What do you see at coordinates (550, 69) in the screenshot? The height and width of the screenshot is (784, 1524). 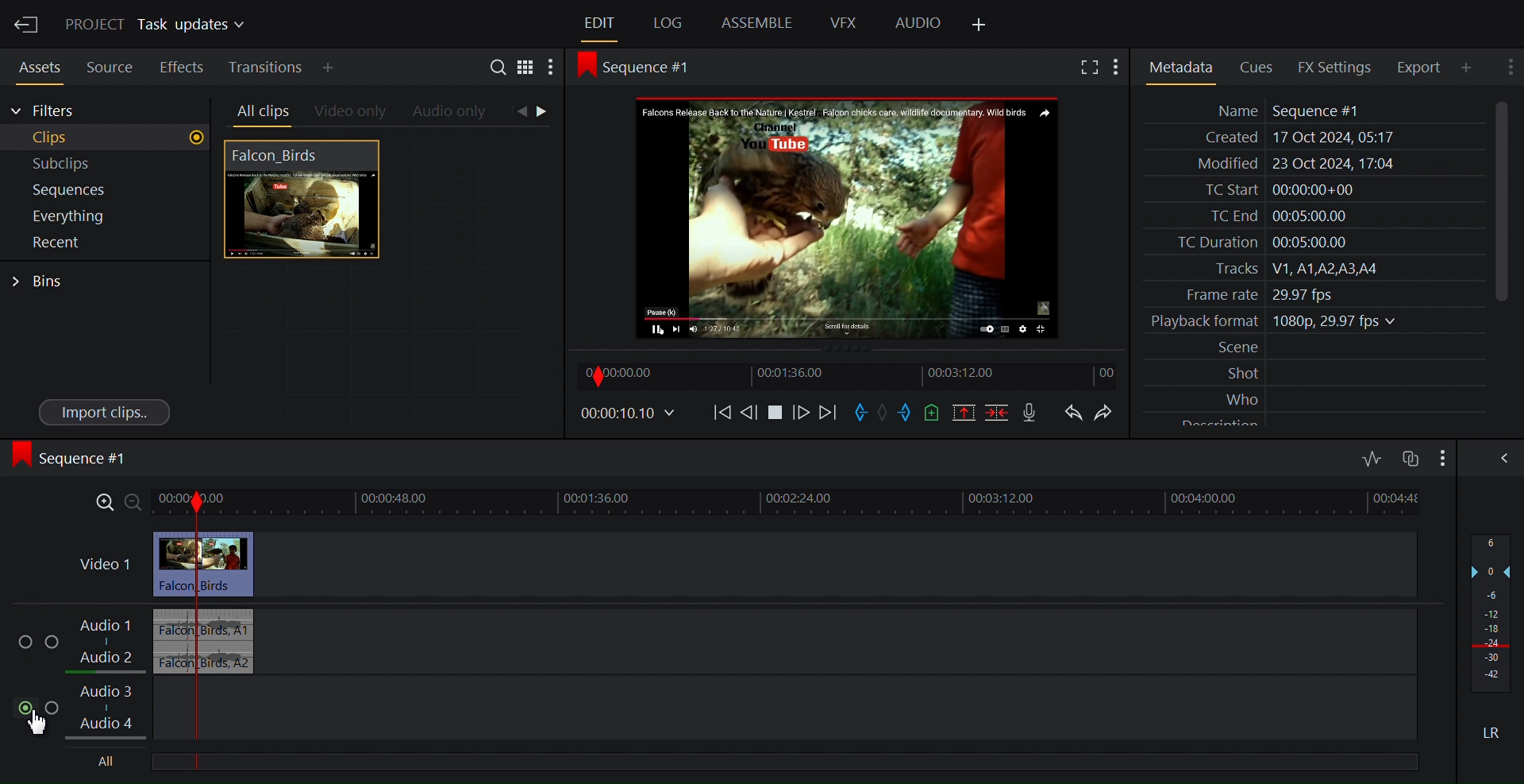 I see `Show settings menu` at bounding box center [550, 69].